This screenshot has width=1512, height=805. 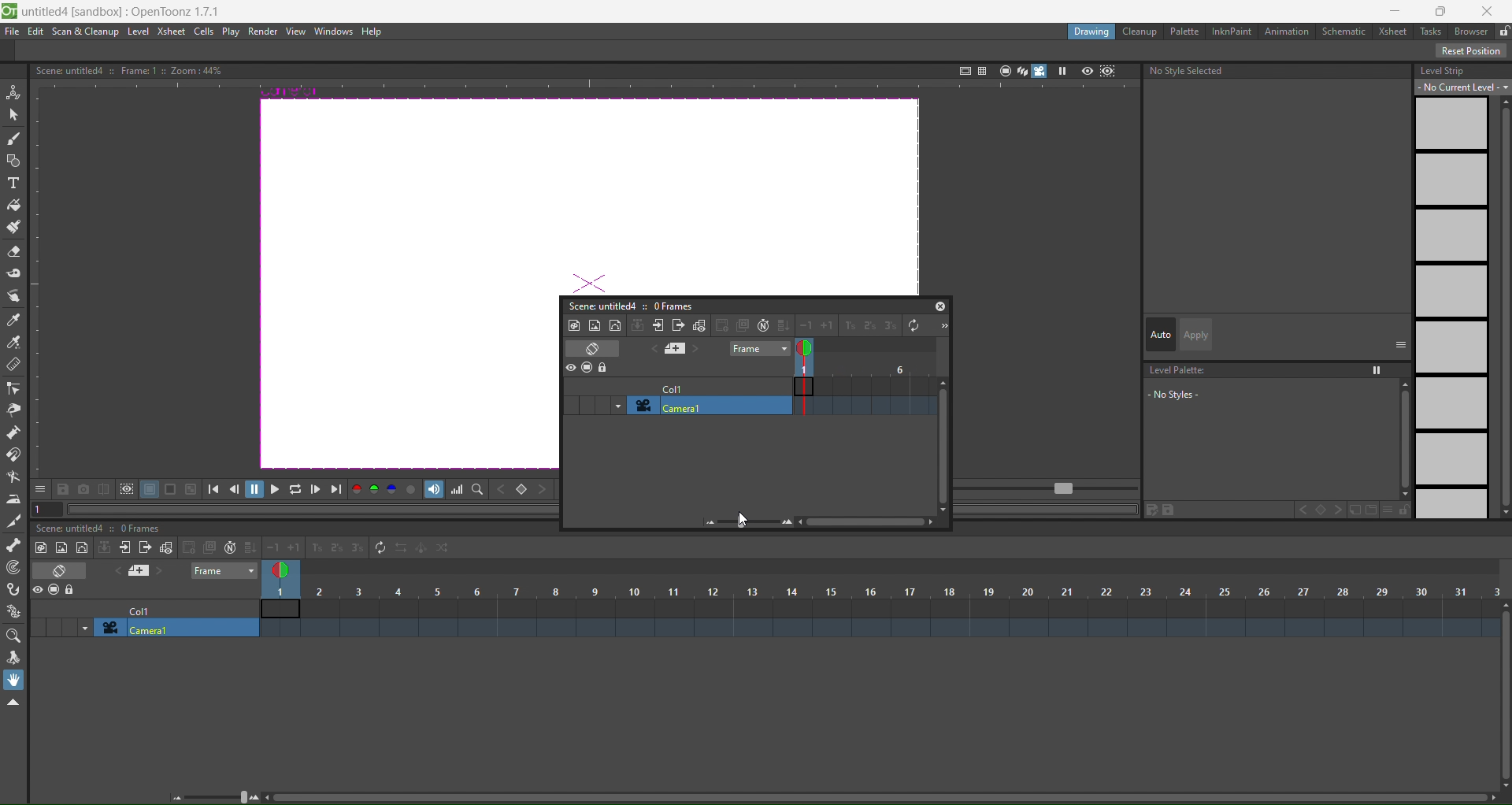 What do you see at coordinates (276, 492) in the screenshot?
I see `playback options` at bounding box center [276, 492].